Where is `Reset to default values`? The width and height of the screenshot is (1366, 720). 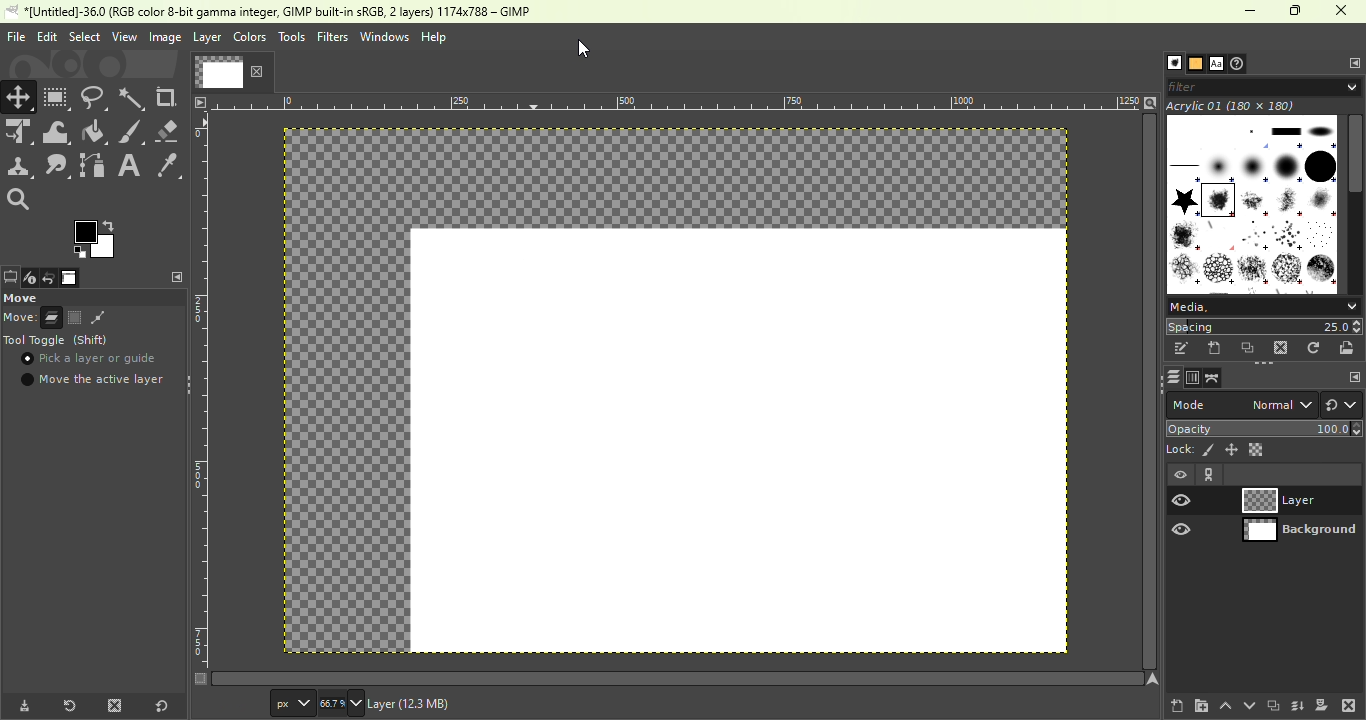
Reset to default values is located at coordinates (159, 703).